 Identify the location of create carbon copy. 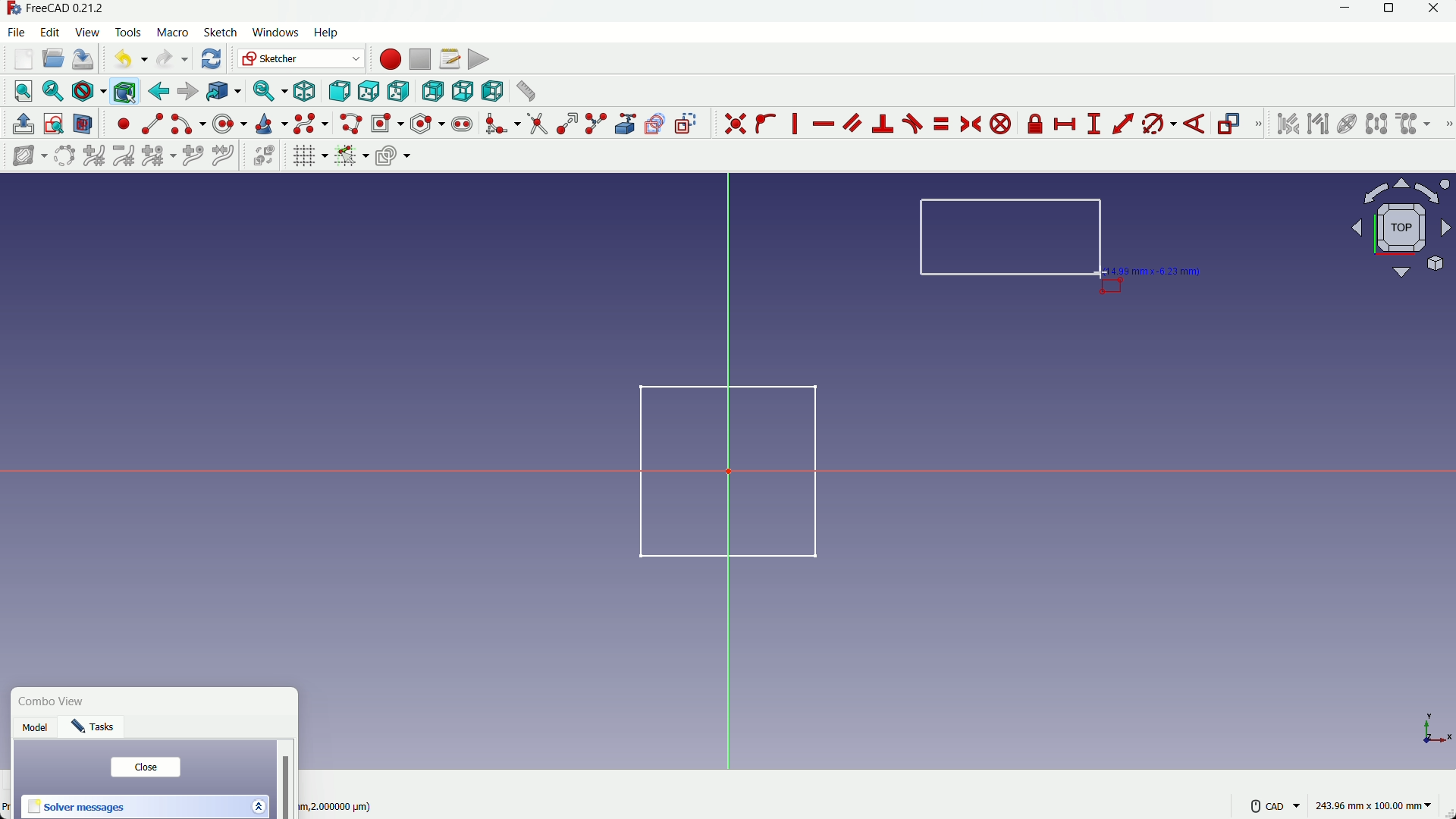
(654, 124).